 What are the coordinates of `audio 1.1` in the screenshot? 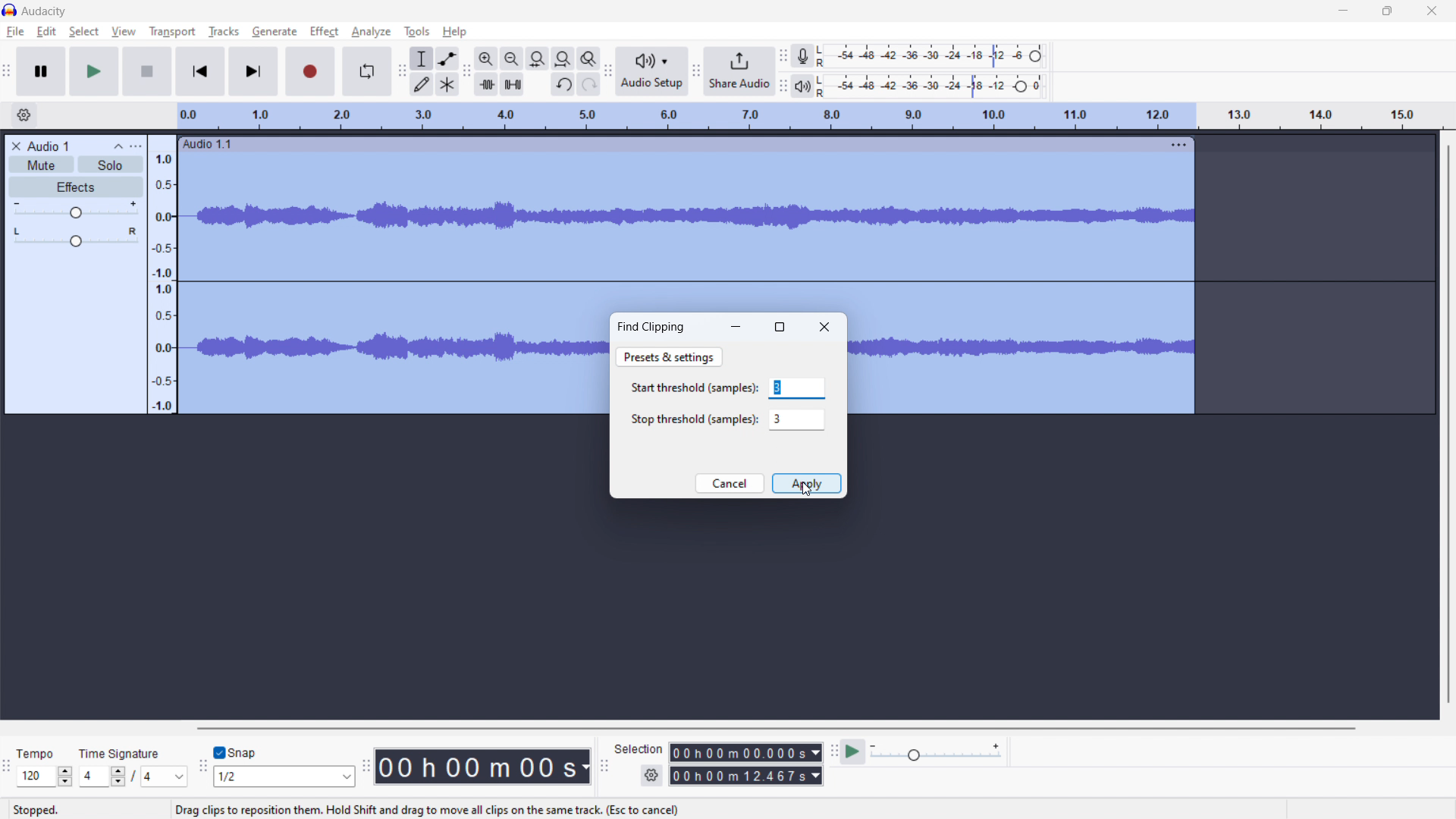 It's located at (212, 145).